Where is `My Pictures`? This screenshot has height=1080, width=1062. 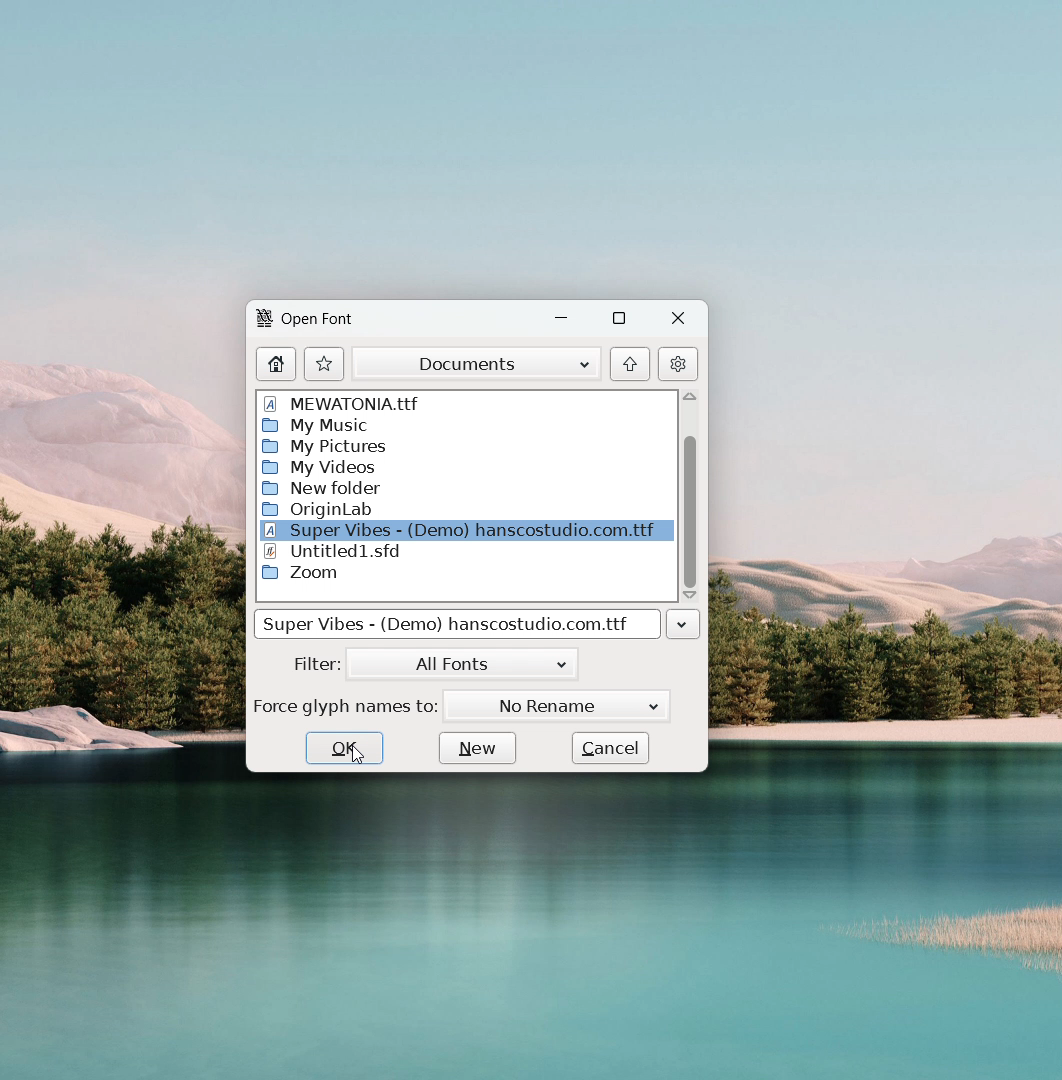 My Pictures is located at coordinates (332, 448).